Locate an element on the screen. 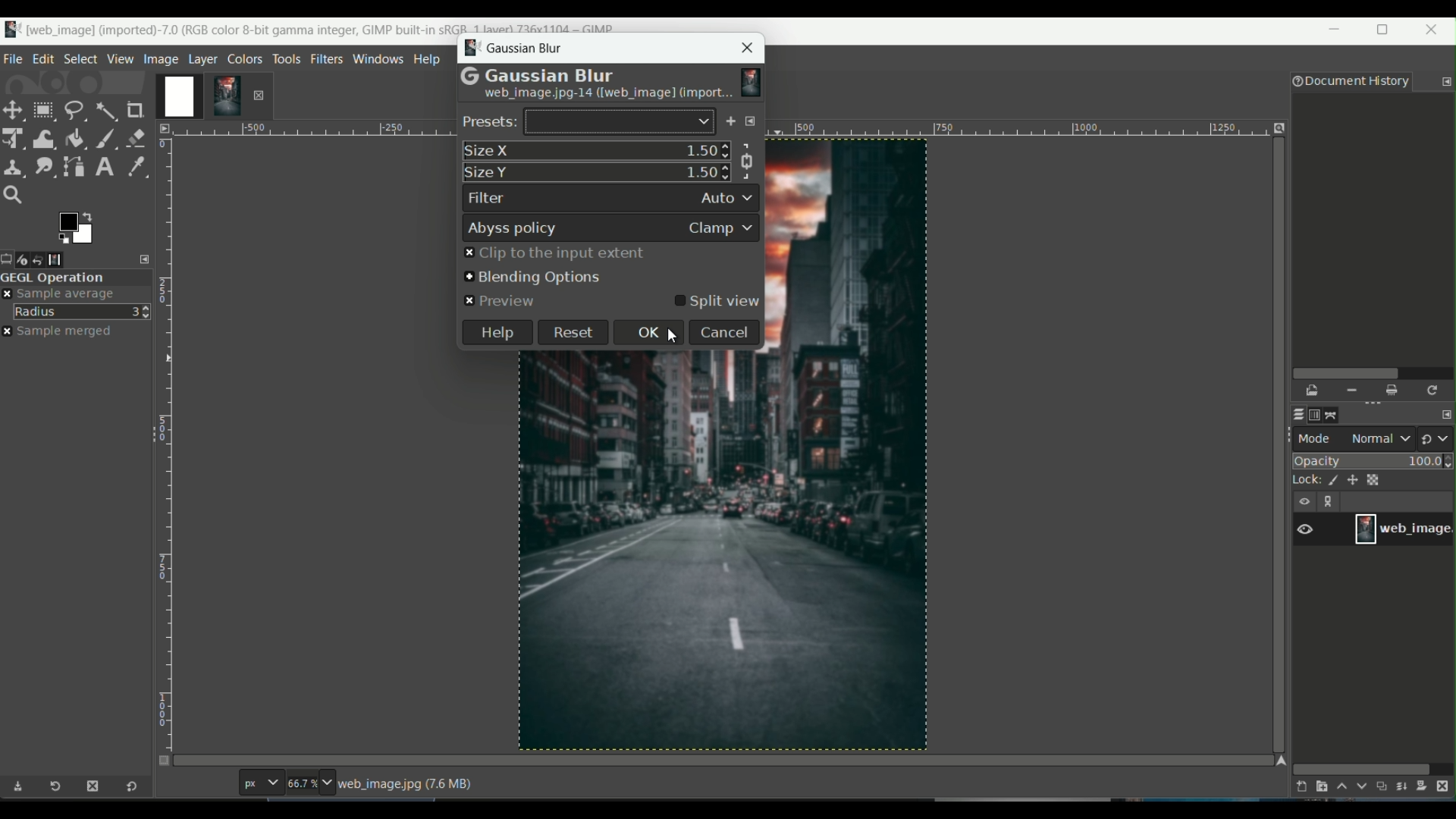  tools tab is located at coordinates (286, 58).